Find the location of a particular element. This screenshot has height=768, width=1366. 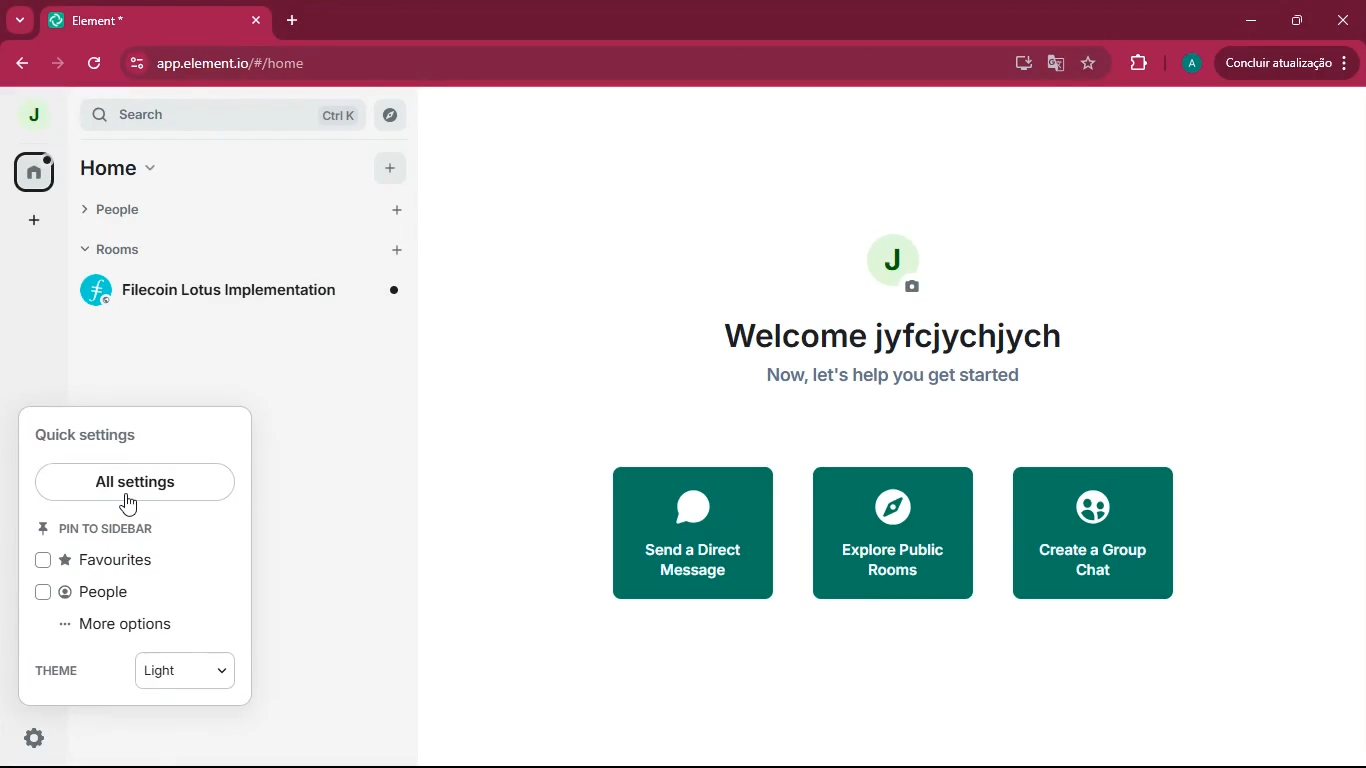

Add is located at coordinates (398, 212).